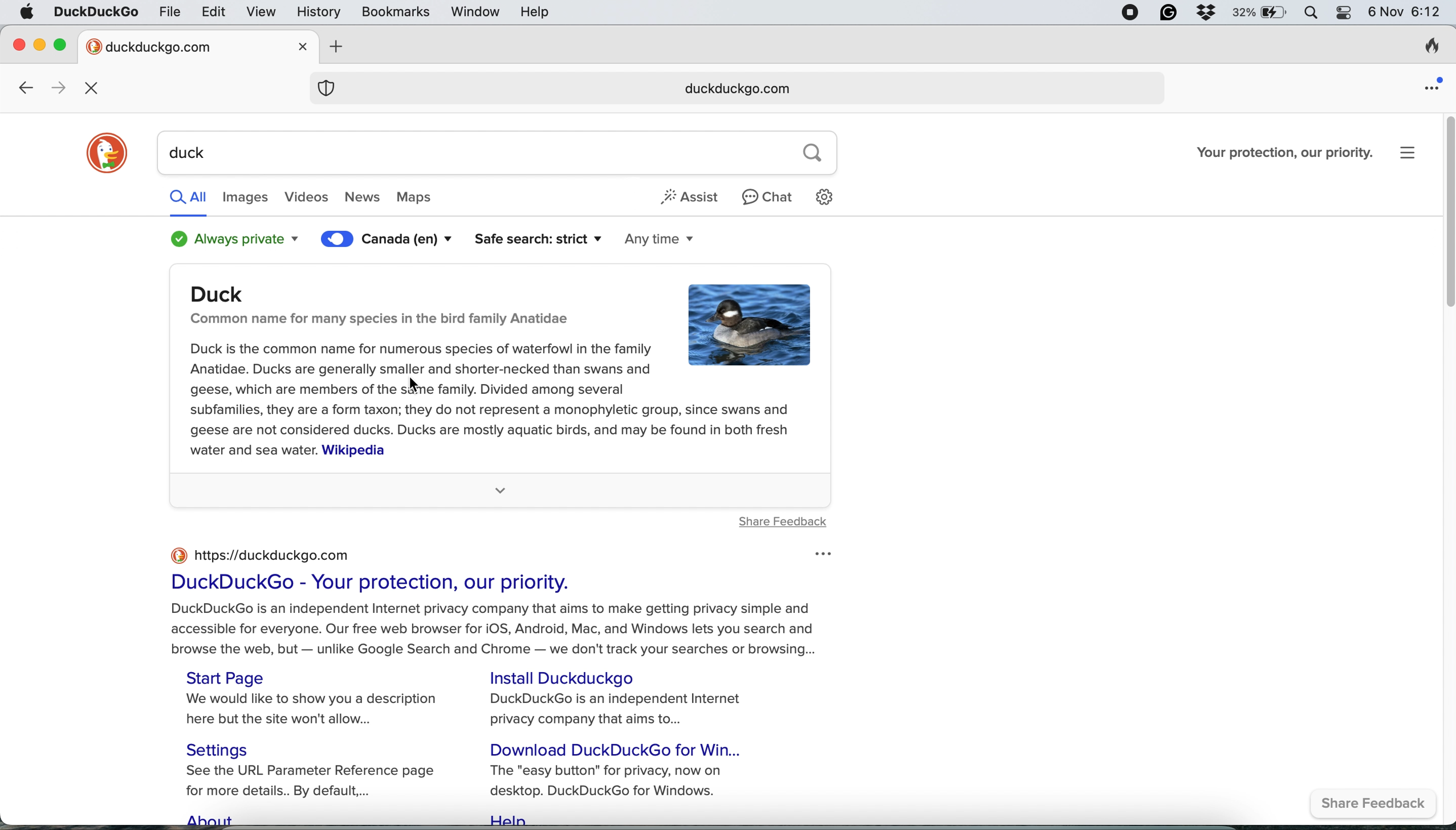  I want to click on clear browsing history, so click(1431, 48).